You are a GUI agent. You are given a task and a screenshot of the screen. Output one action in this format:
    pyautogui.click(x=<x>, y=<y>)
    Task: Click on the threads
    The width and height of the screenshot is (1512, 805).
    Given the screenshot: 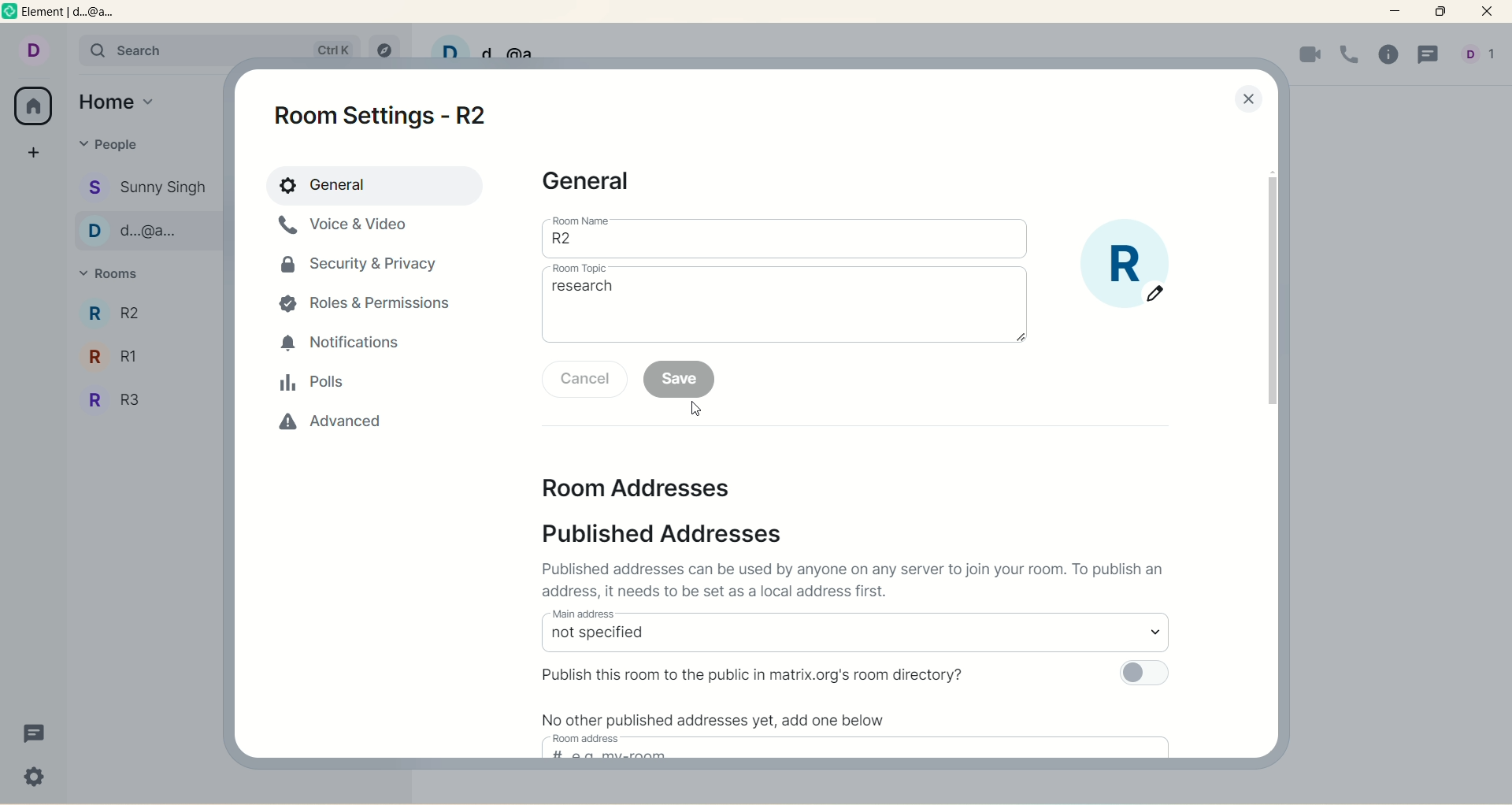 What is the action you would take?
    pyautogui.click(x=1428, y=57)
    